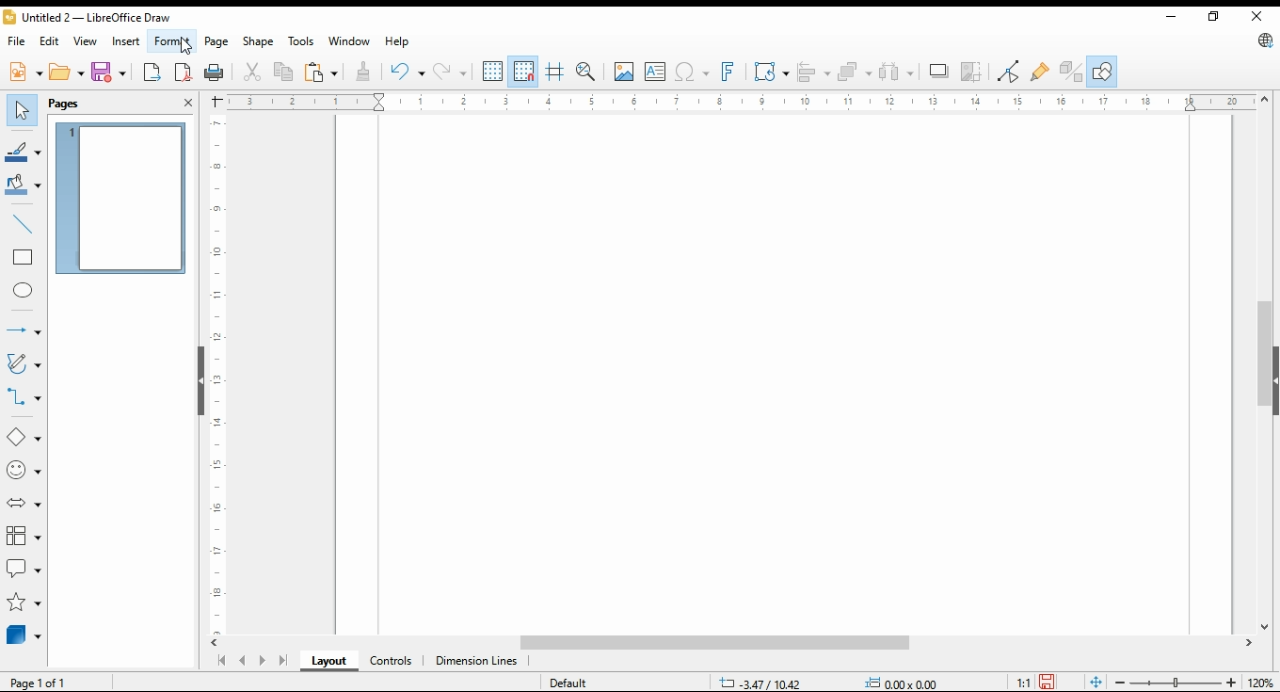  Describe the element at coordinates (330, 661) in the screenshot. I see `layout` at that location.